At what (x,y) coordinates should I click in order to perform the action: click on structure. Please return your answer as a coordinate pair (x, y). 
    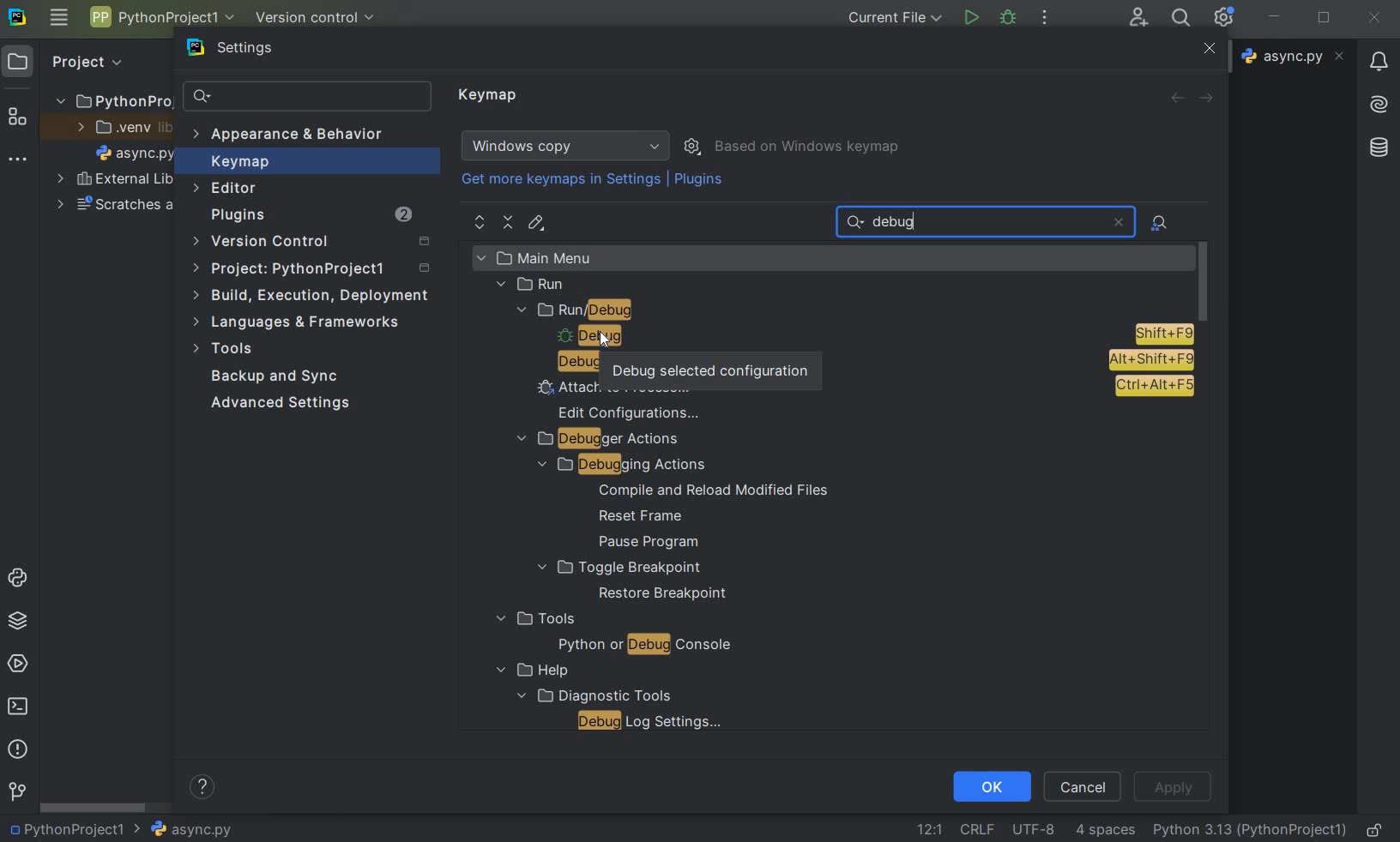
    Looking at the image, I should click on (18, 118).